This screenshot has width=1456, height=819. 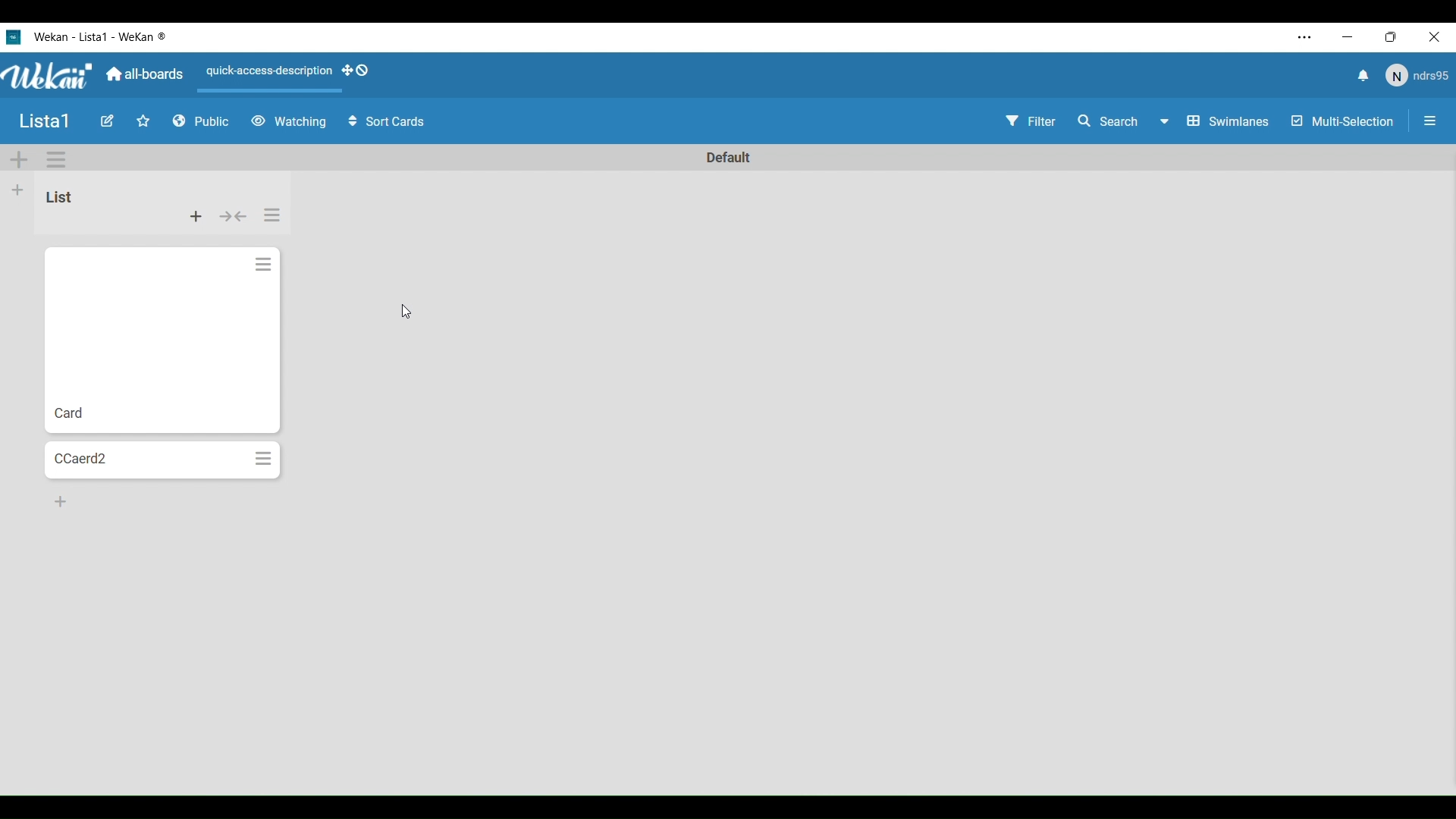 What do you see at coordinates (1416, 76) in the screenshot?
I see `User` at bounding box center [1416, 76].